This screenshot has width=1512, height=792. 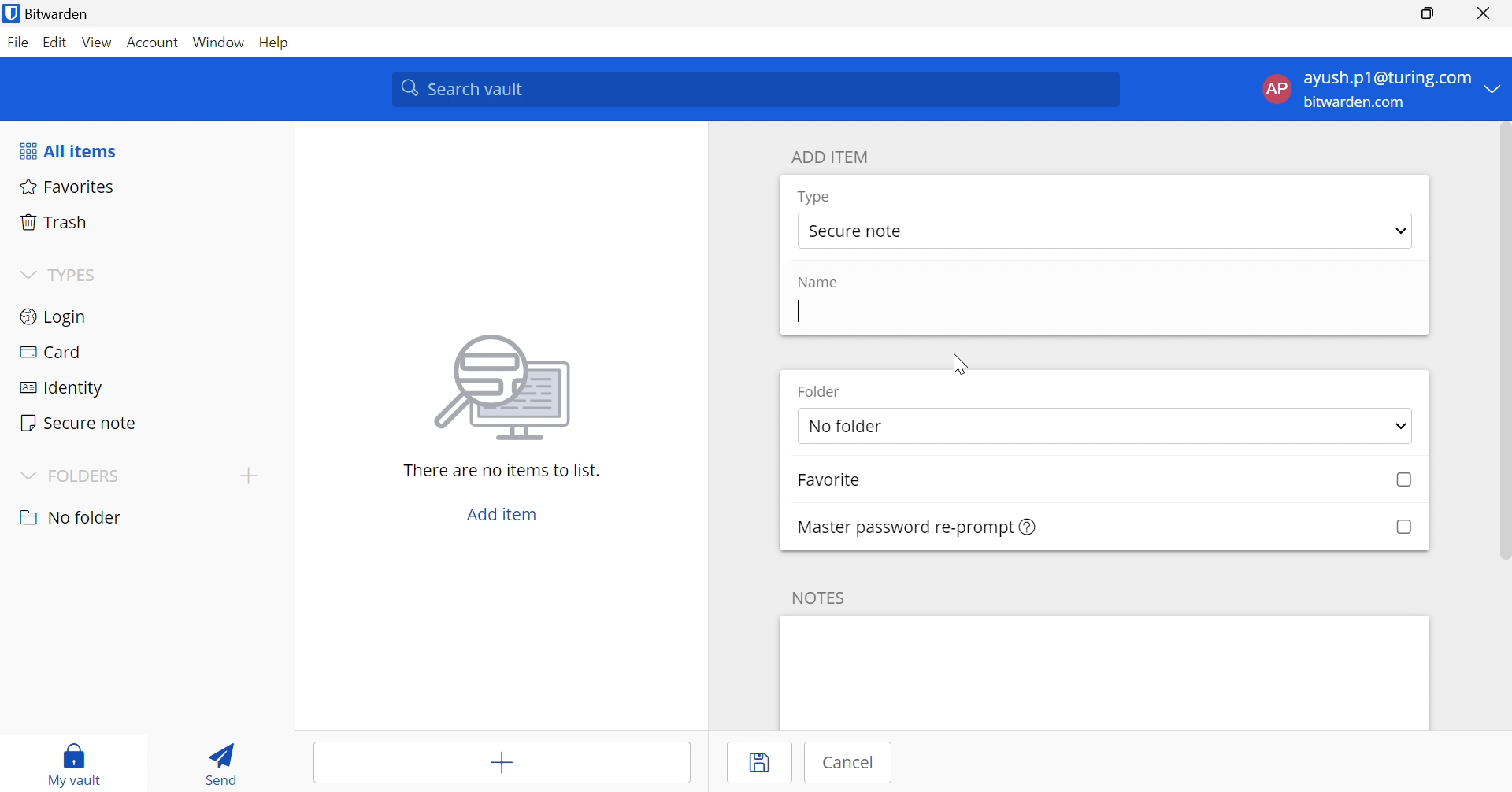 I want to click on Secure note, so click(x=143, y=420).